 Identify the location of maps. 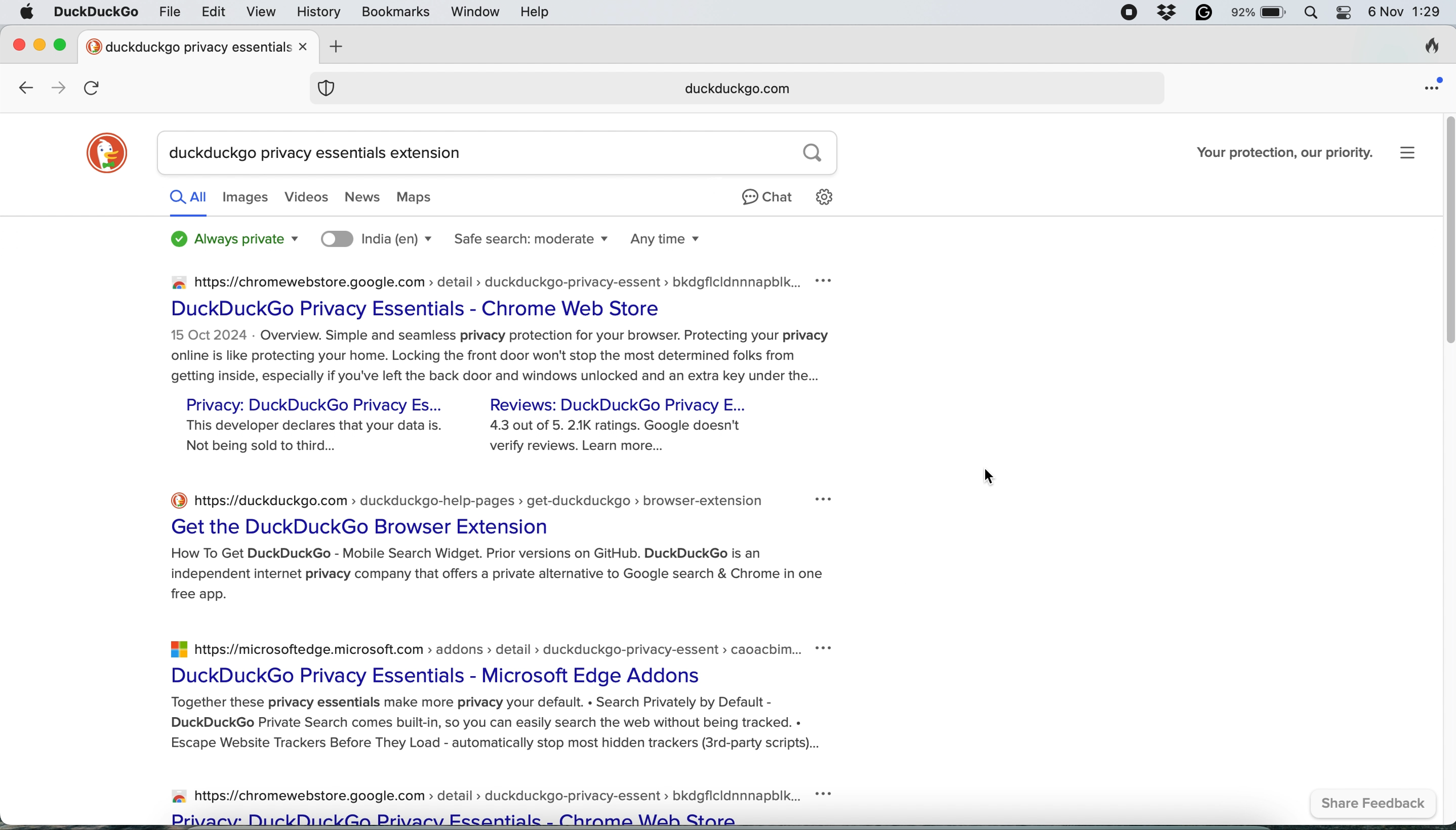
(424, 197).